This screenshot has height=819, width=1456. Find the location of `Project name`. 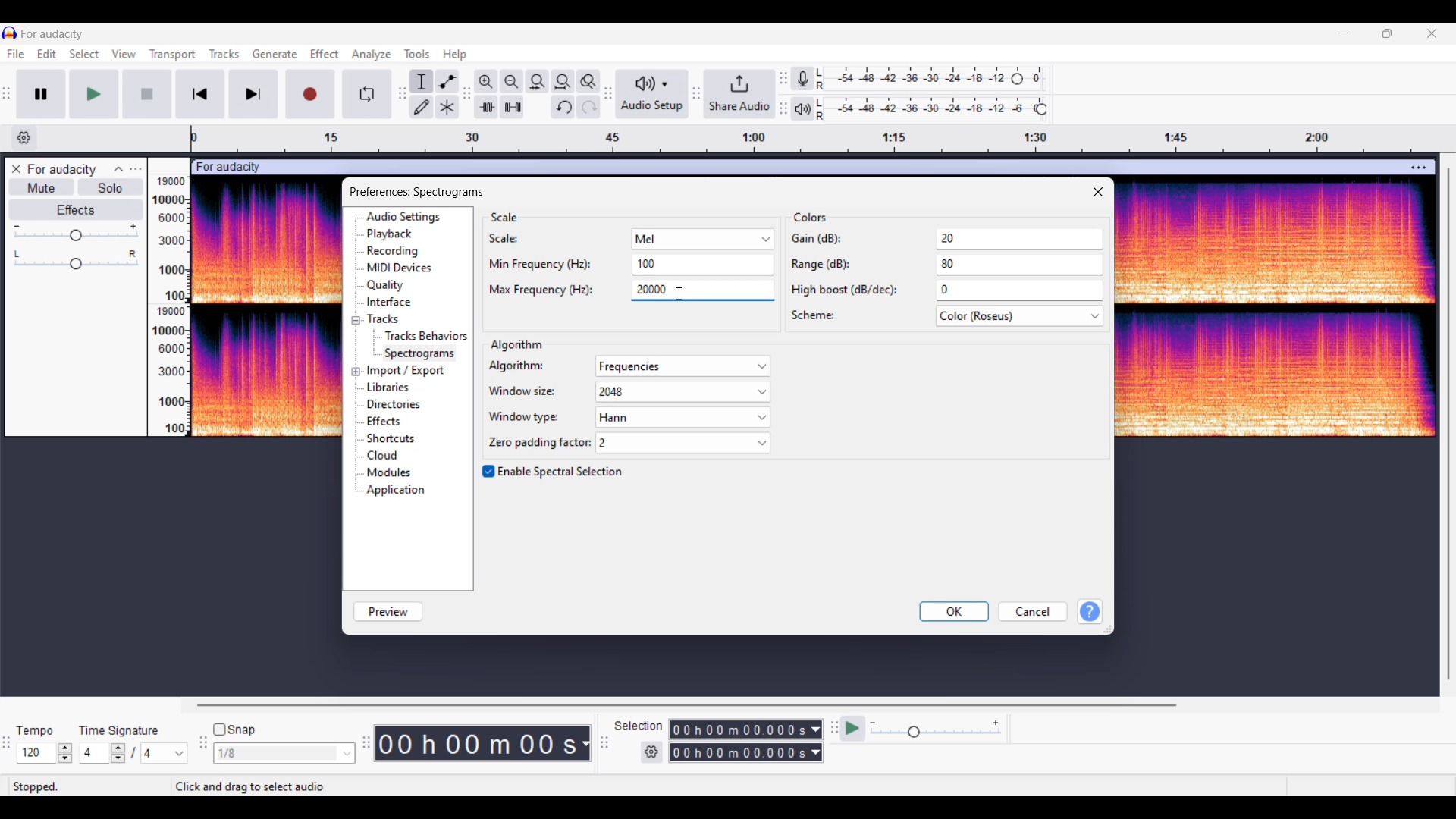

Project name is located at coordinates (53, 34).